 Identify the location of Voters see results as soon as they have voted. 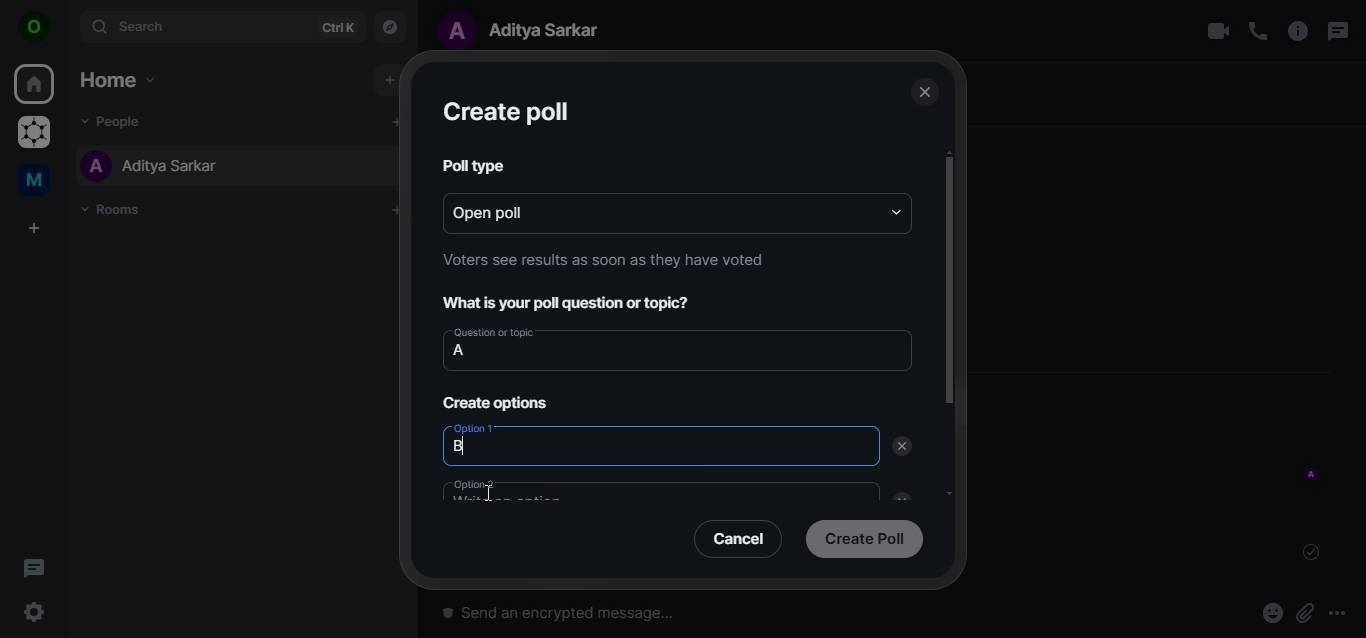
(604, 259).